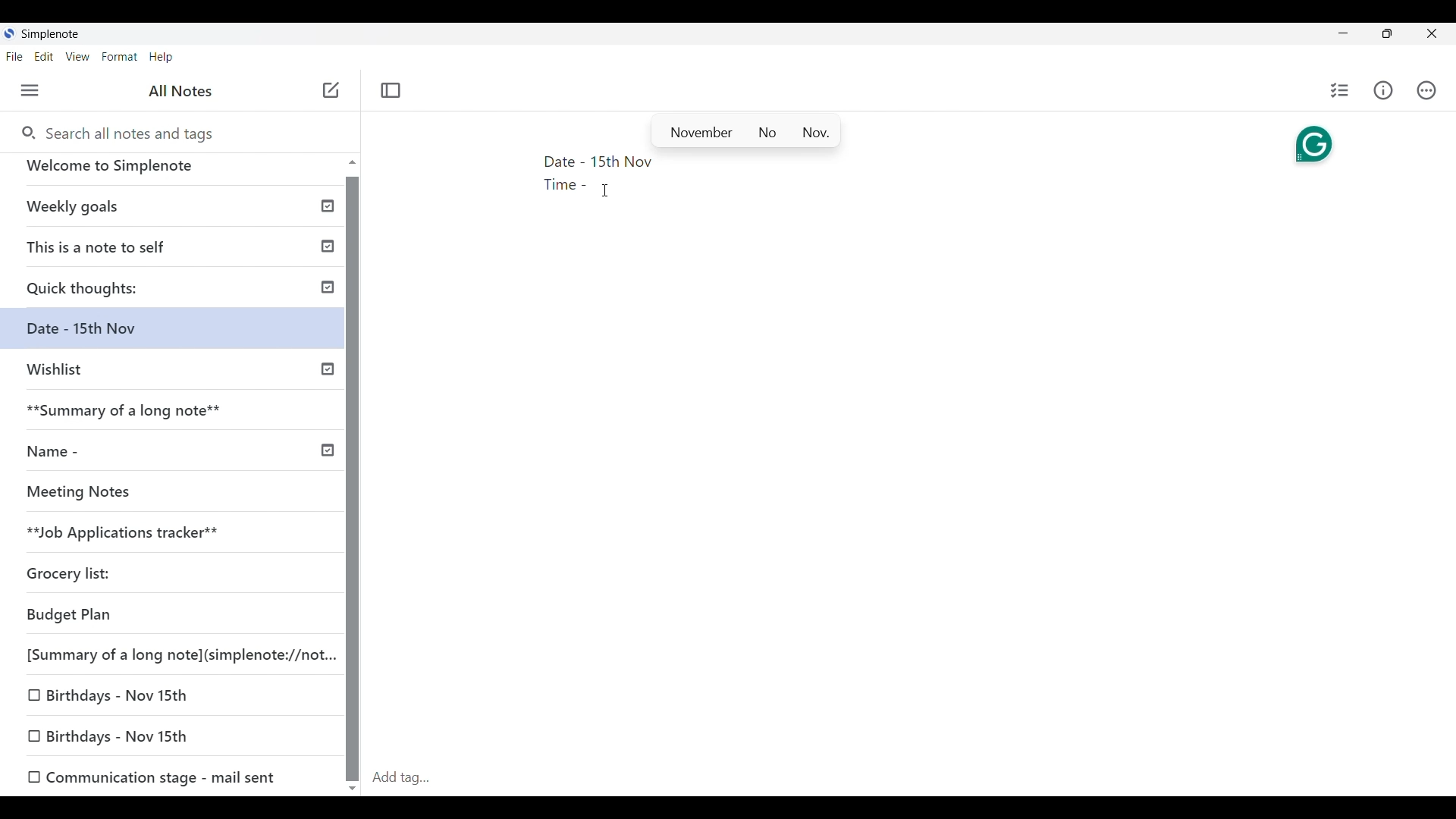 Image resolution: width=1456 pixels, height=819 pixels. I want to click on Close interface, so click(1432, 33).